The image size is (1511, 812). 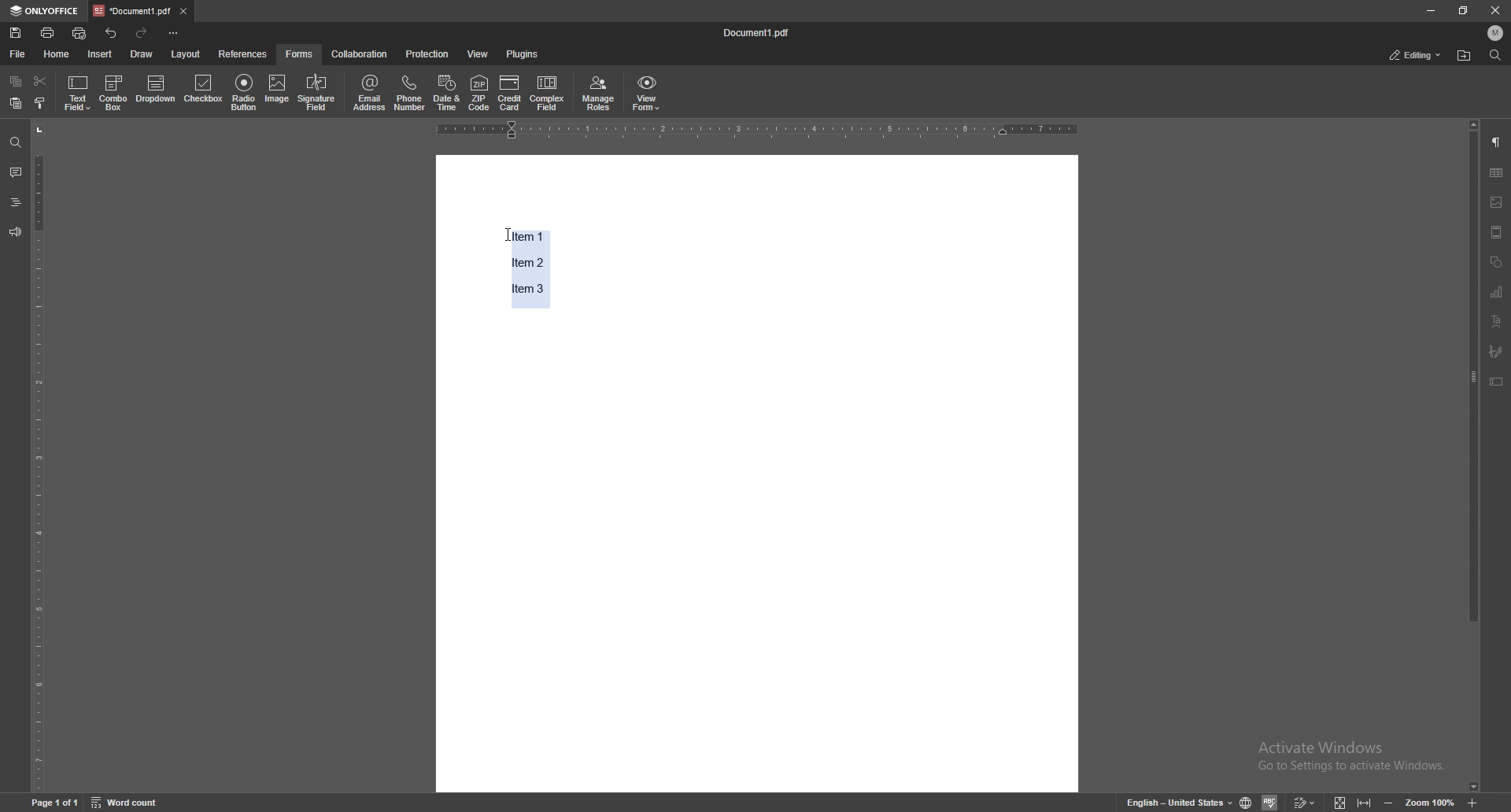 What do you see at coordinates (77, 94) in the screenshot?
I see `text field` at bounding box center [77, 94].